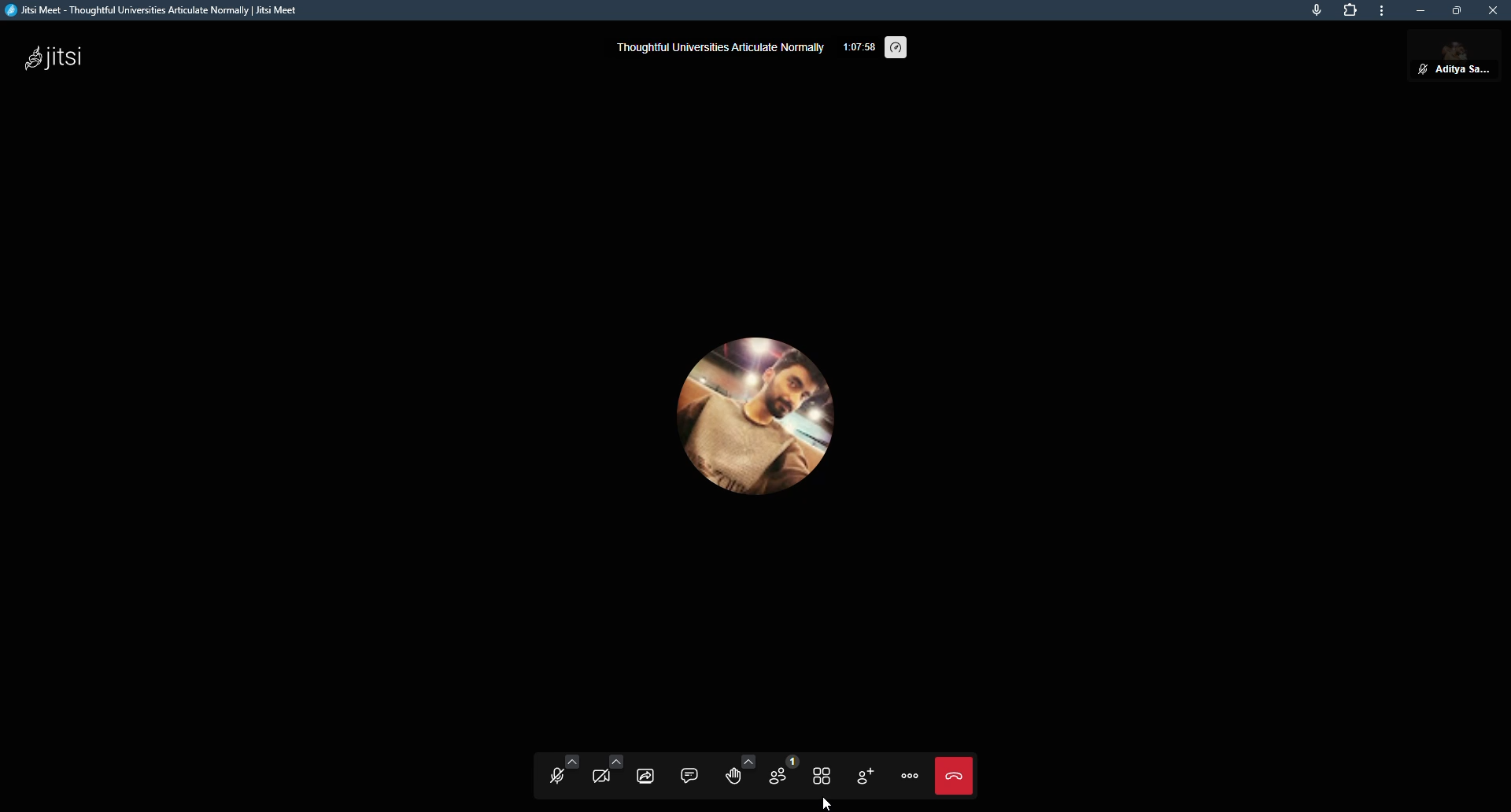 The height and width of the screenshot is (812, 1511). Describe the element at coordinates (558, 778) in the screenshot. I see `start mic` at that location.